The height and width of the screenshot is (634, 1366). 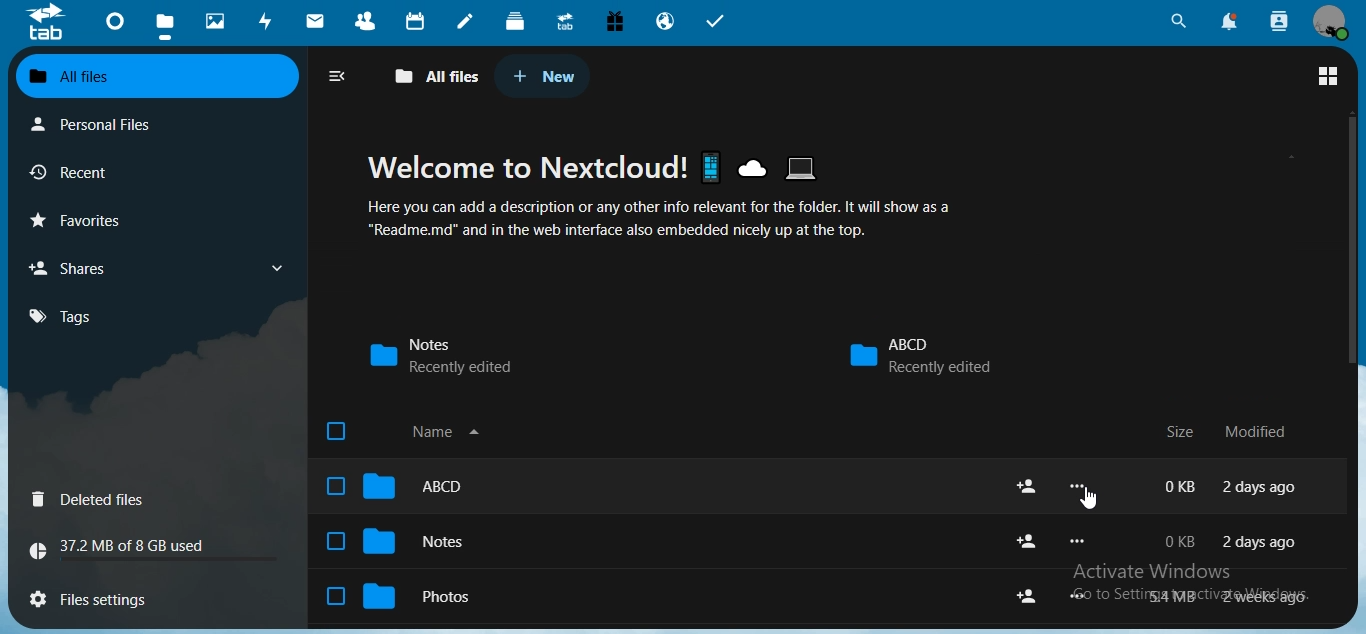 What do you see at coordinates (1090, 504) in the screenshot?
I see `Mouse Cursor` at bounding box center [1090, 504].